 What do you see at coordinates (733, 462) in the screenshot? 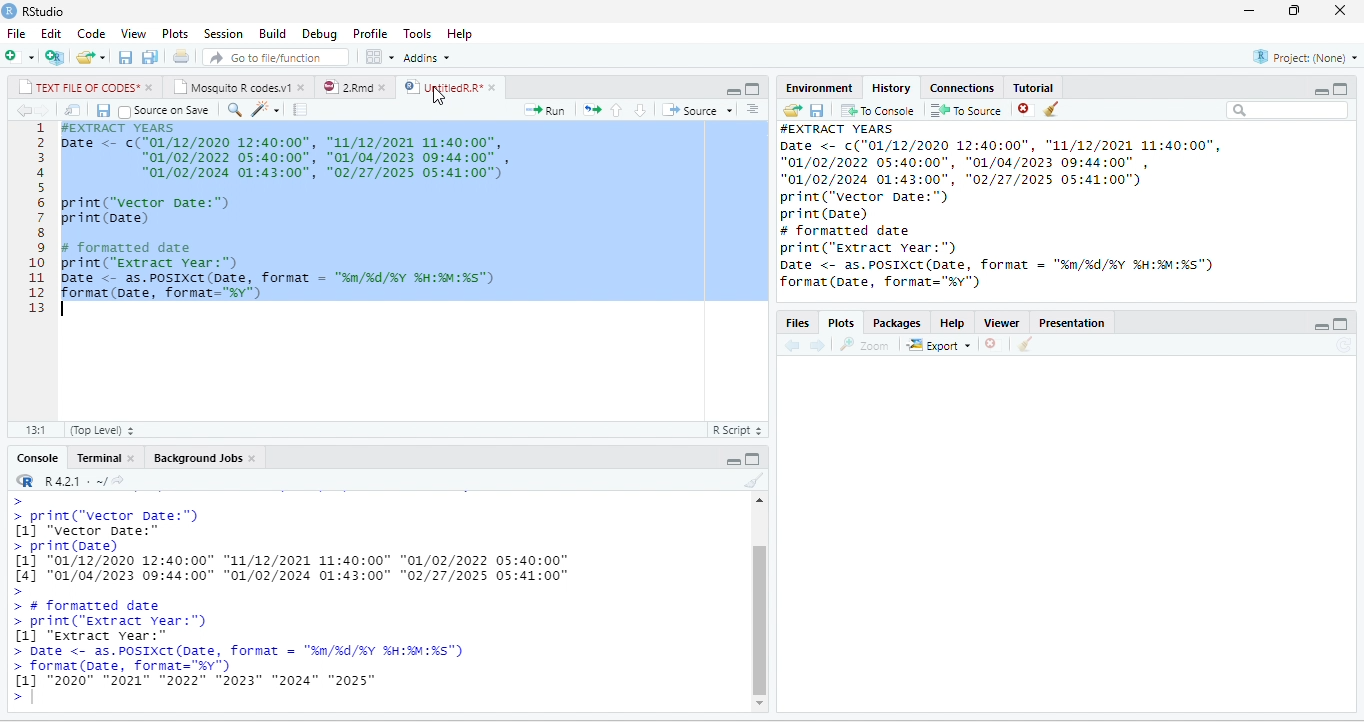
I see `minimize` at bounding box center [733, 462].